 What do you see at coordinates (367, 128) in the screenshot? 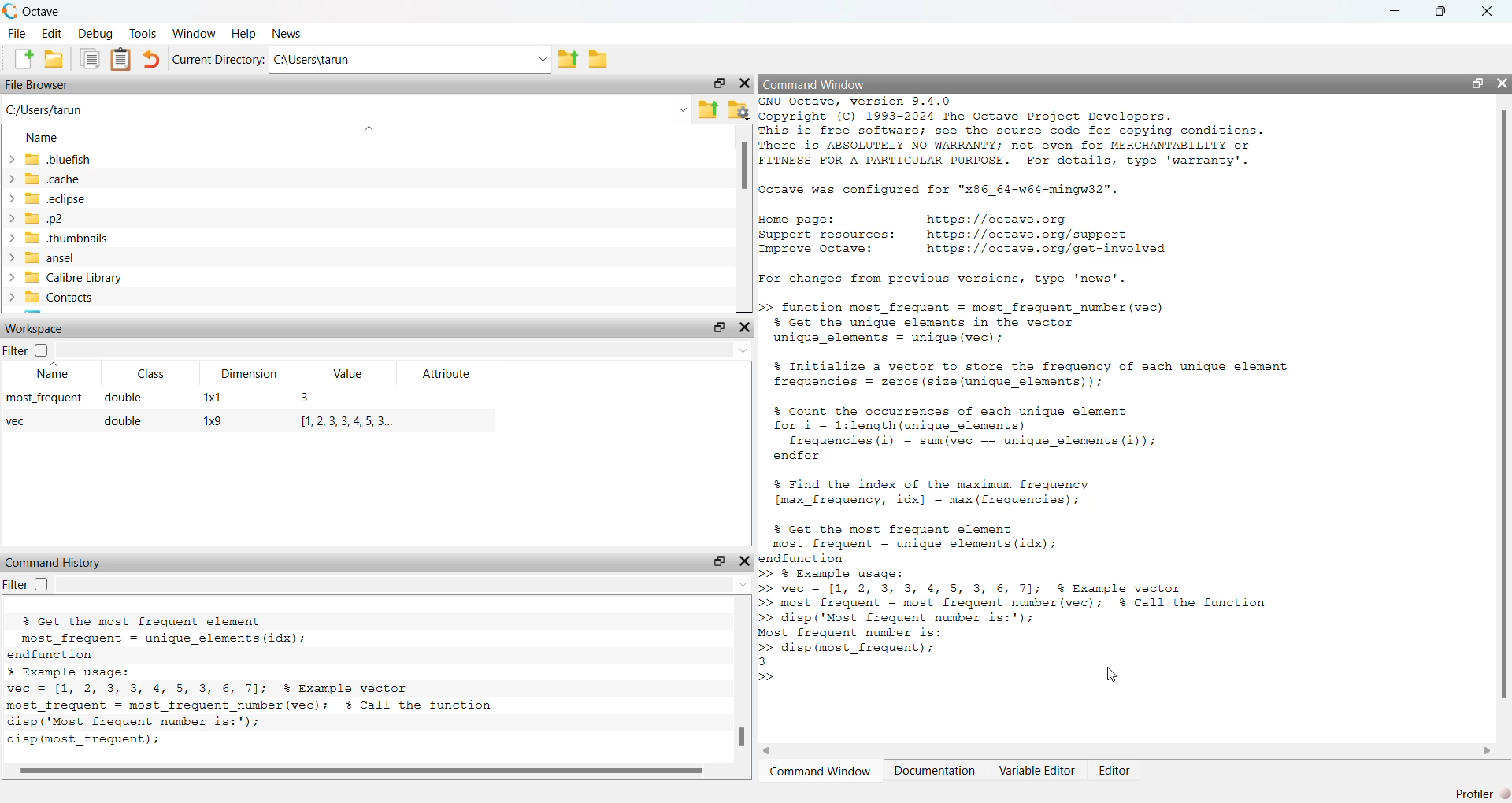
I see `sort` at bounding box center [367, 128].